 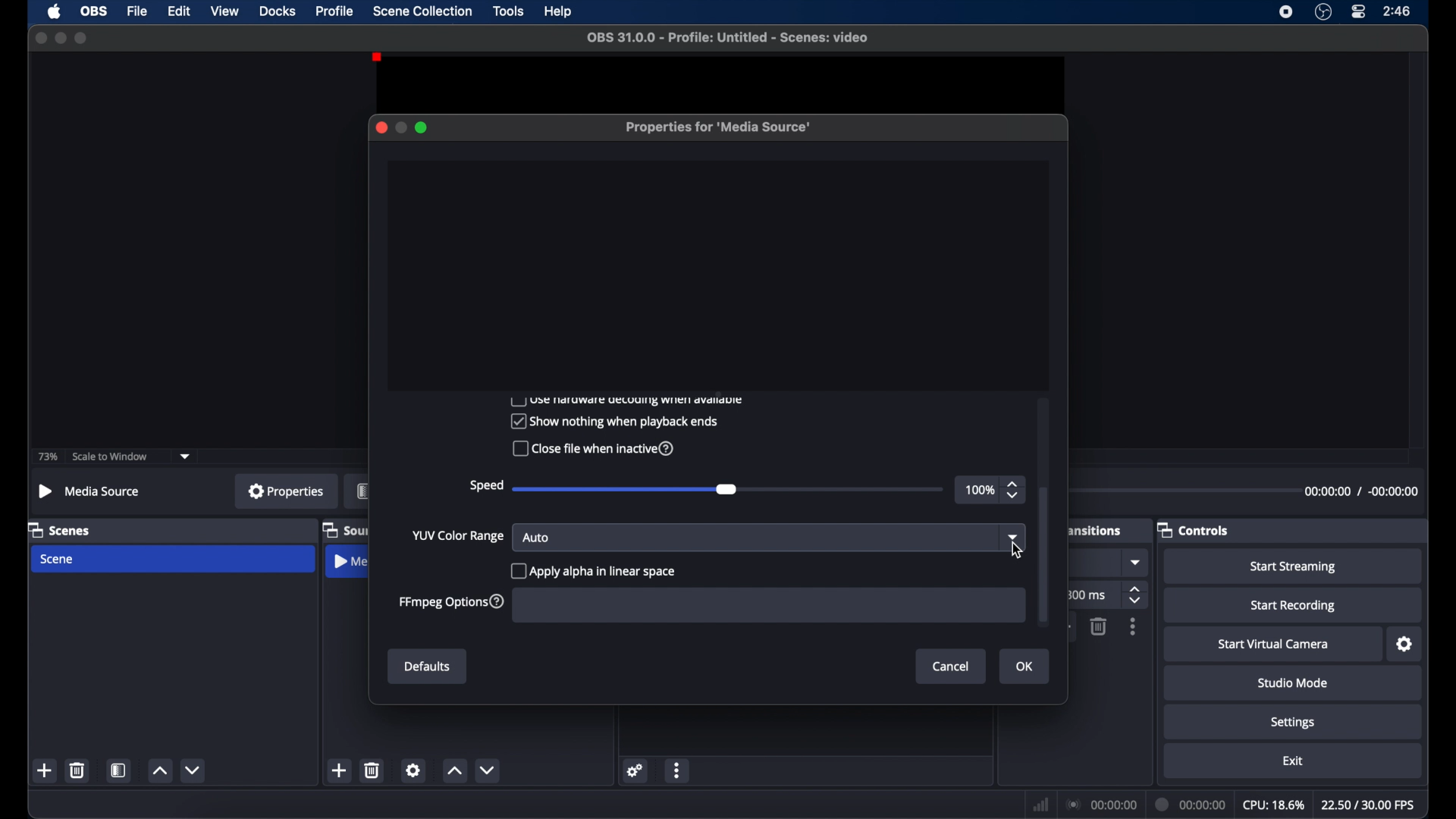 I want to click on delete, so click(x=78, y=770).